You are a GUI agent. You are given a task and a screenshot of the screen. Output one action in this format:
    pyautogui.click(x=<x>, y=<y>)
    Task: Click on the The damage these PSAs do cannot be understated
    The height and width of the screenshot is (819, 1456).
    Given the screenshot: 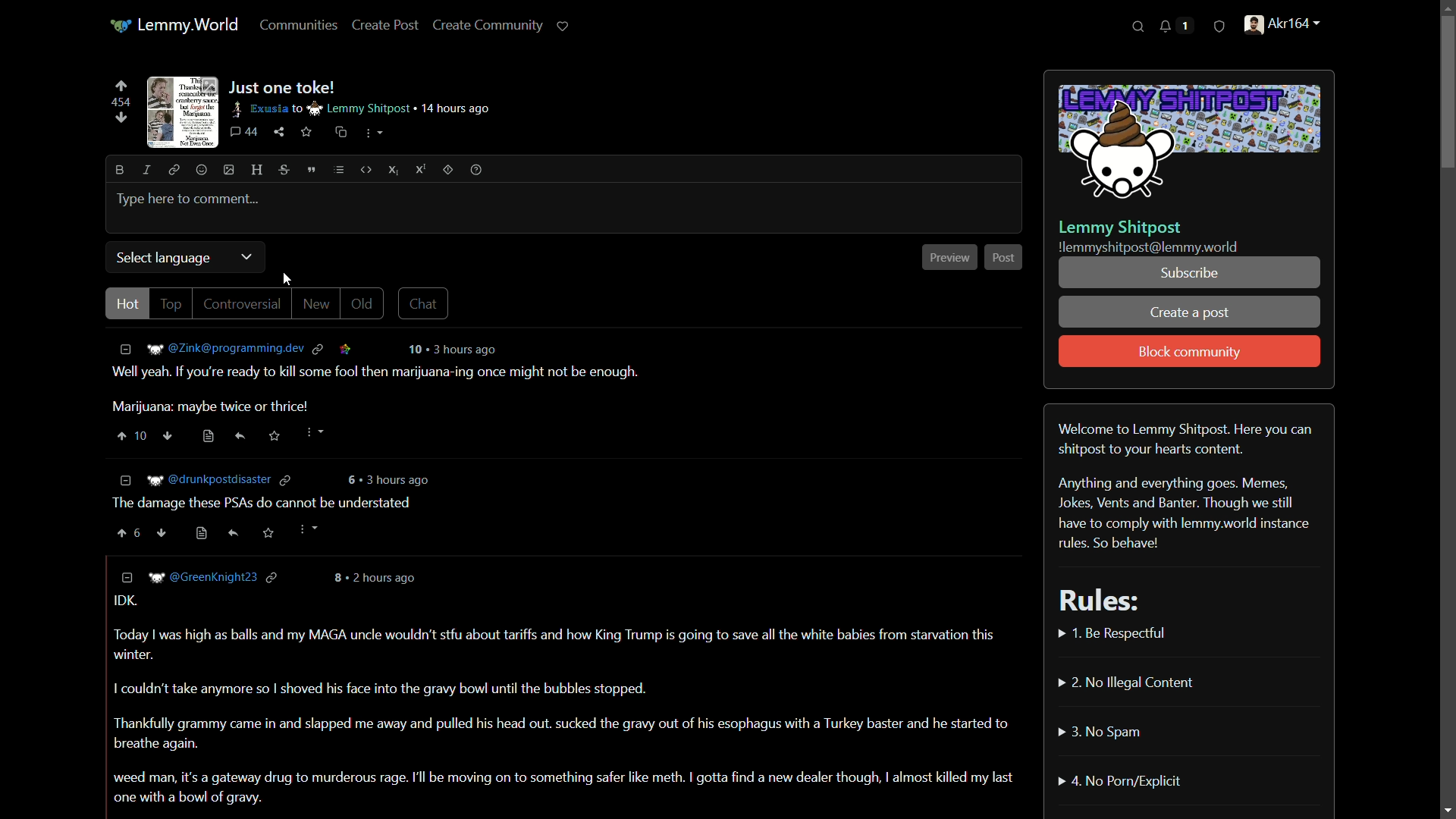 What is the action you would take?
    pyautogui.click(x=276, y=505)
    